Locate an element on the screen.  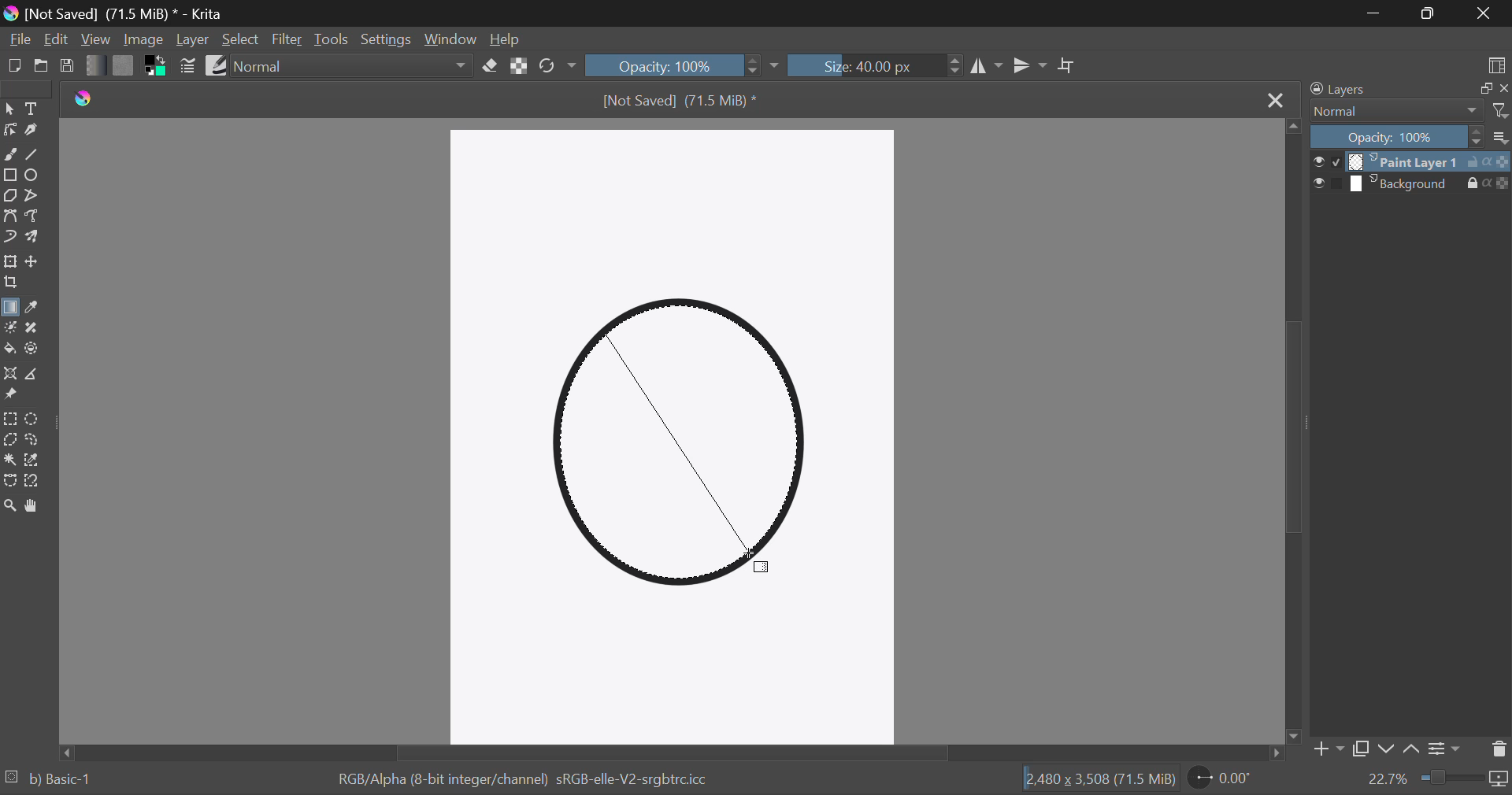
Move layer down is located at coordinates (1387, 751).